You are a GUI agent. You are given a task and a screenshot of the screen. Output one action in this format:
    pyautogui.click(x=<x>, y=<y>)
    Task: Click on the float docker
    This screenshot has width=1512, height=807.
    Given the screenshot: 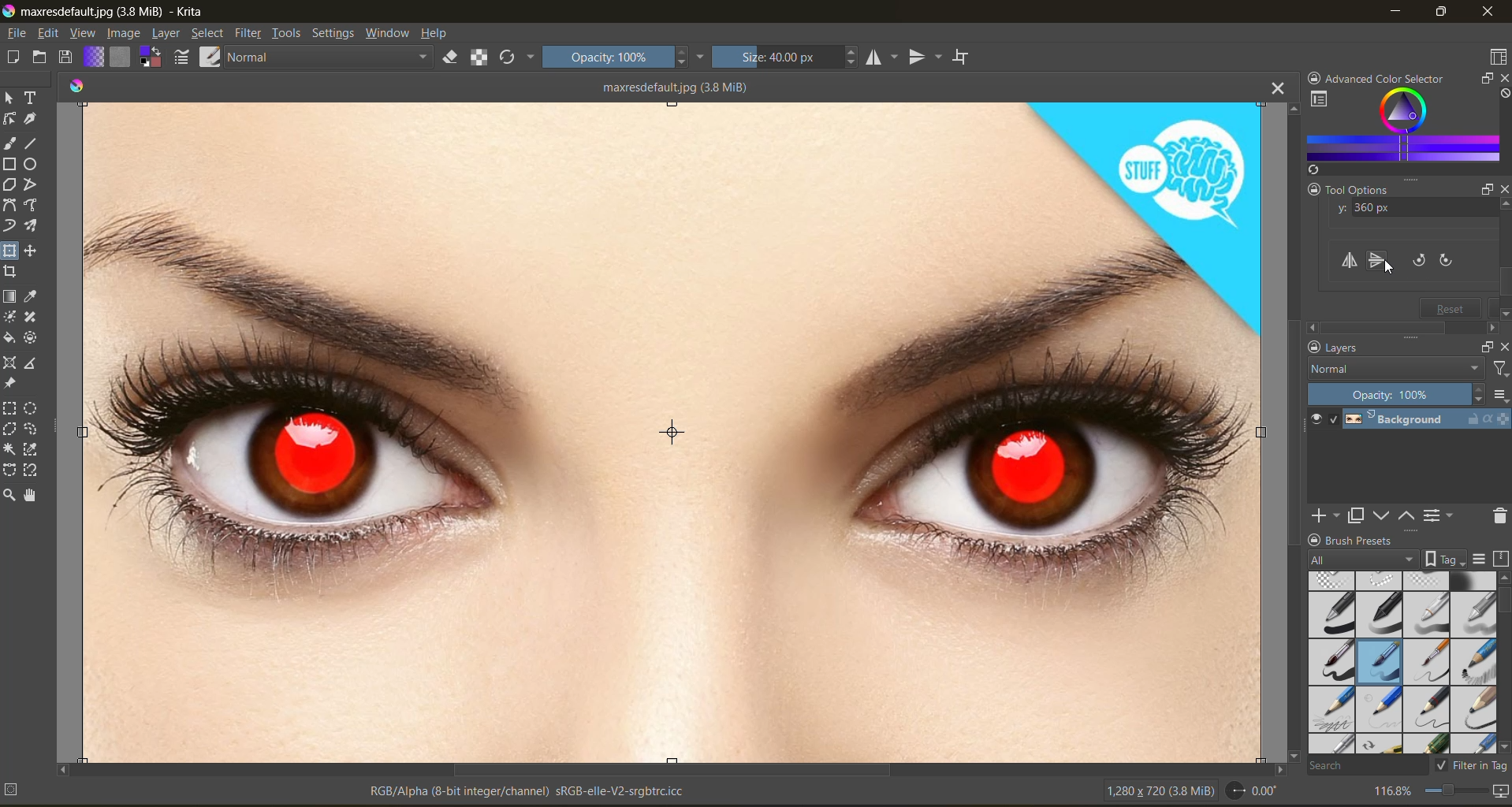 What is the action you would take?
    pyautogui.click(x=1487, y=347)
    